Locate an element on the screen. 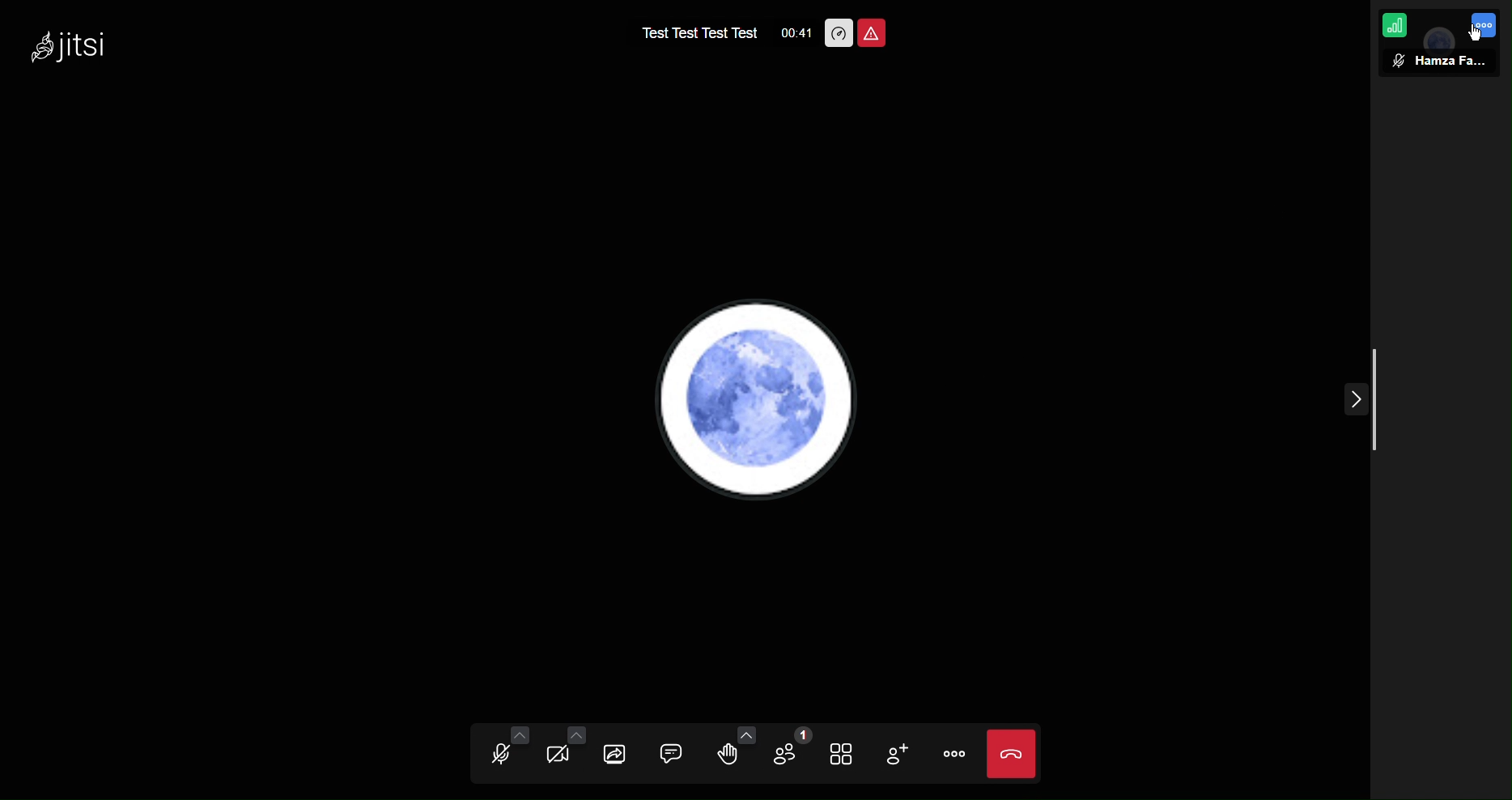 The width and height of the screenshot is (1512, 800). cursor is located at coordinates (1473, 36).